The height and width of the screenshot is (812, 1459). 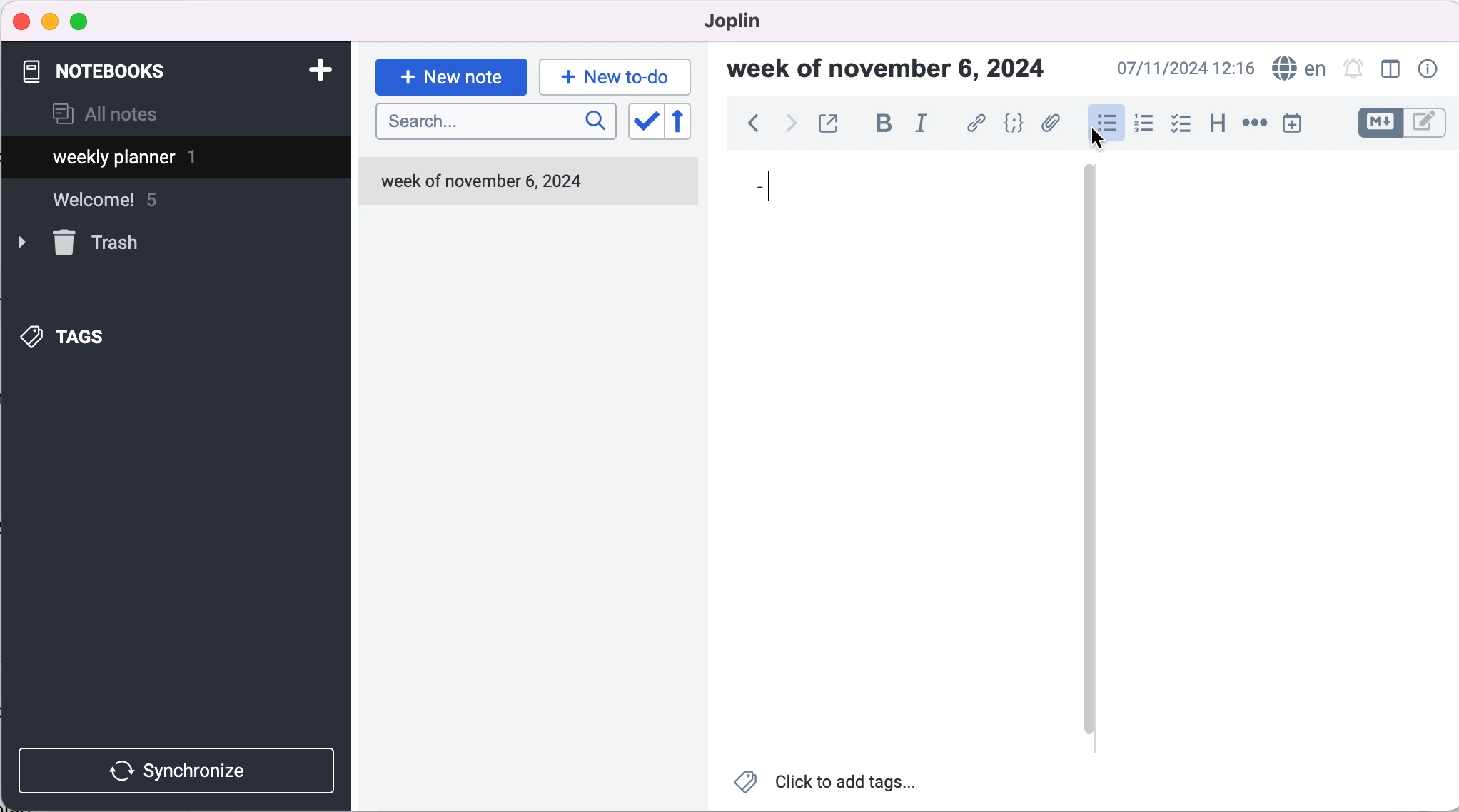 I want to click on vertical slider, so click(x=1090, y=451).